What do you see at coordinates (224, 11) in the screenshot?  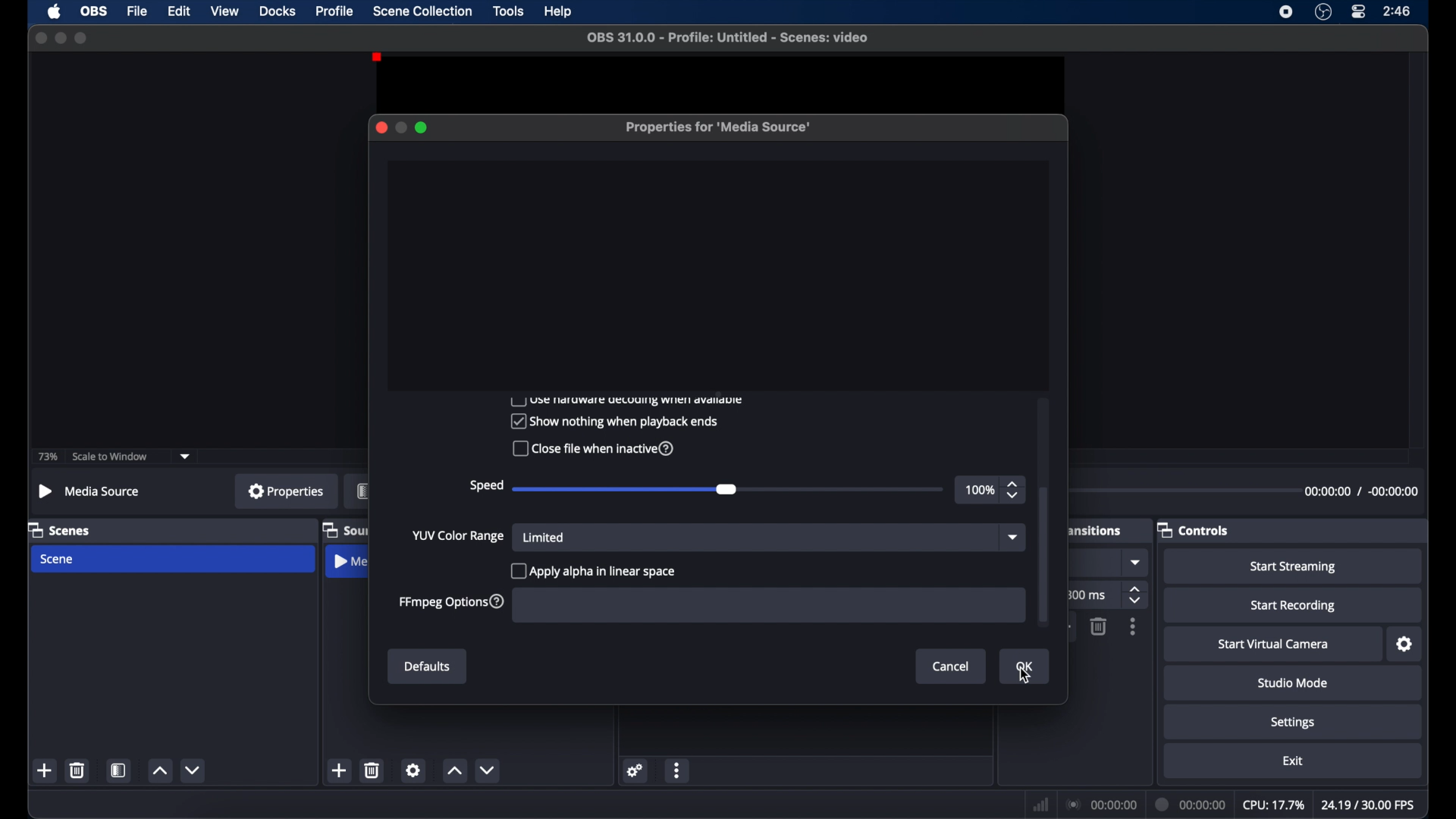 I see `view` at bounding box center [224, 11].